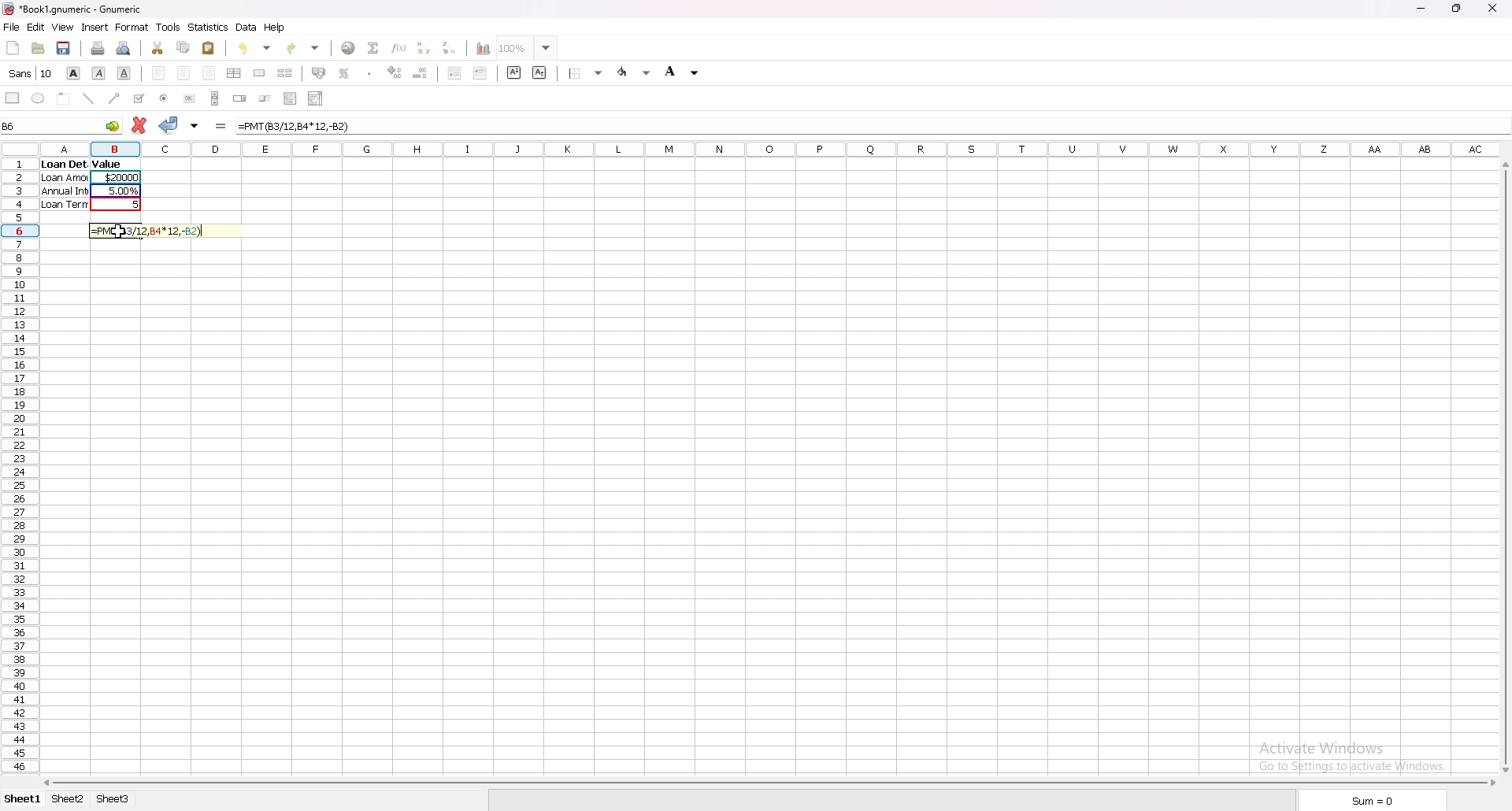 The image size is (1512, 811). Describe the element at coordinates (450, 46) in the screenshot. I see `sort descending` at that location.